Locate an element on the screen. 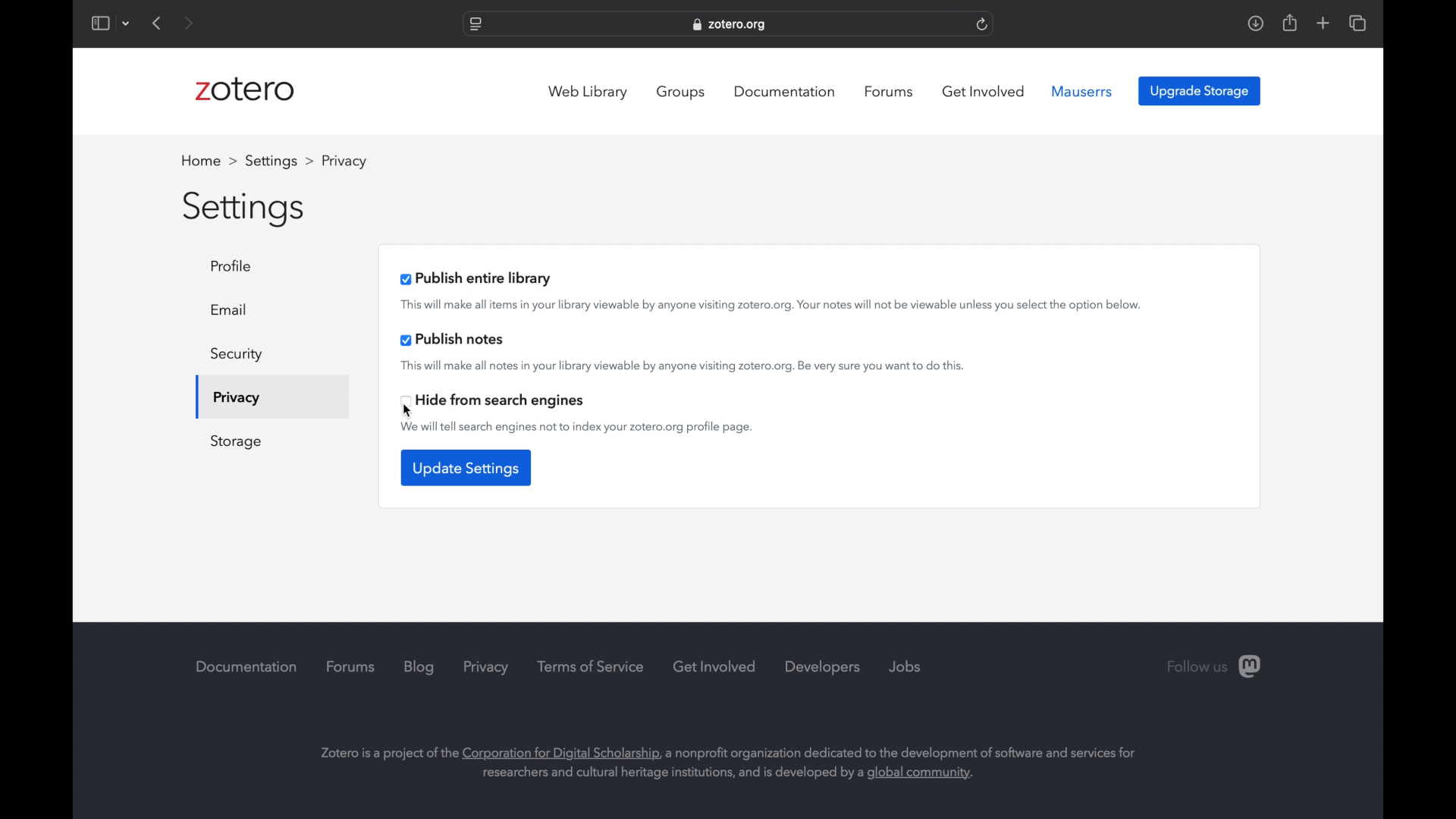 This screenshot has height=819, width=1456. zotero.org is located at coordinates (731, 24).